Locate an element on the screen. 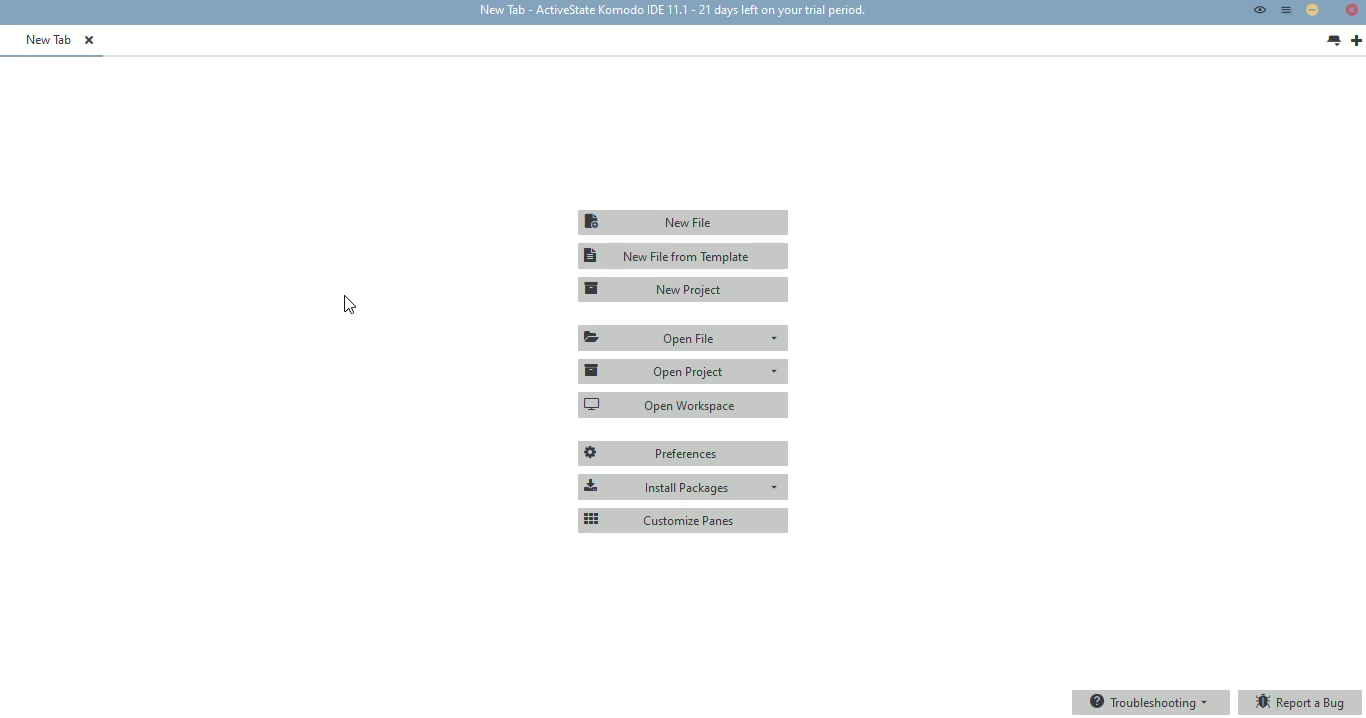  report a bug is located at coordinates (1301, 703).